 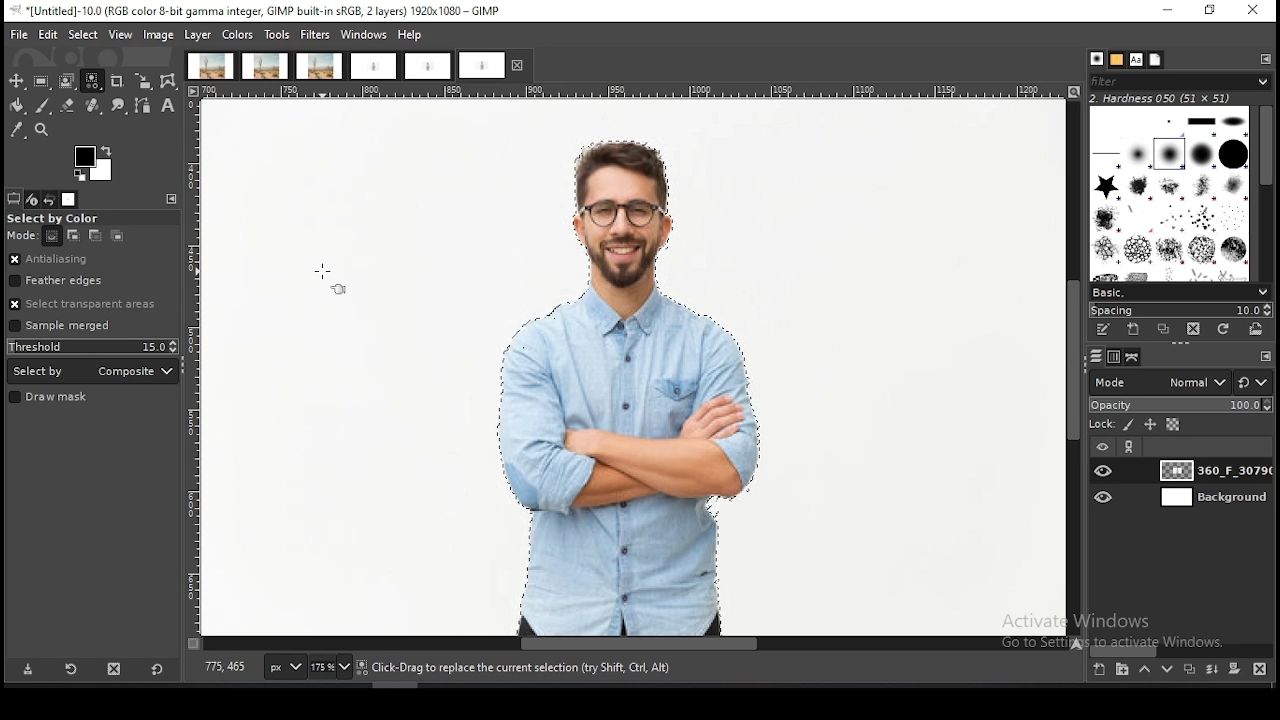 I want to click on undo history, so click(x=49, y=200).